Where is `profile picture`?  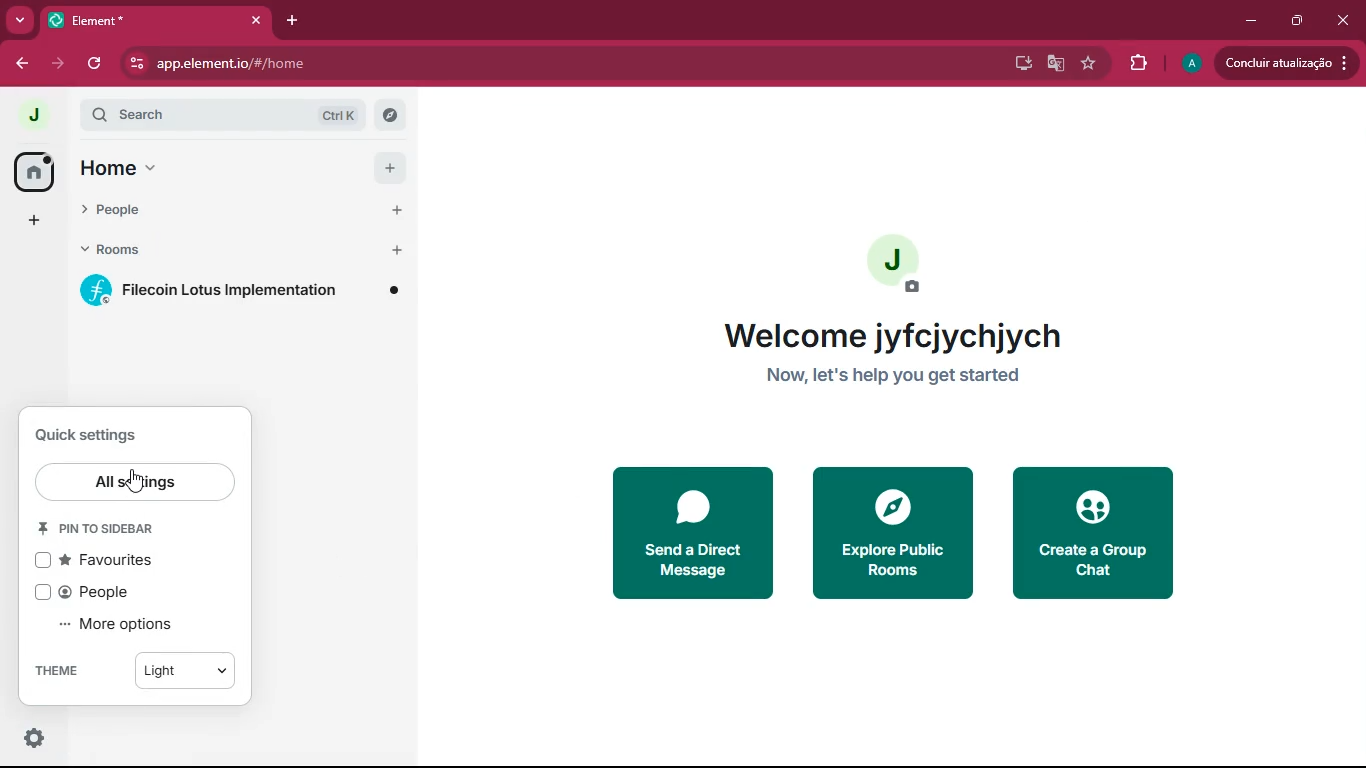
profile picture is located at coordinates (1190, 64).